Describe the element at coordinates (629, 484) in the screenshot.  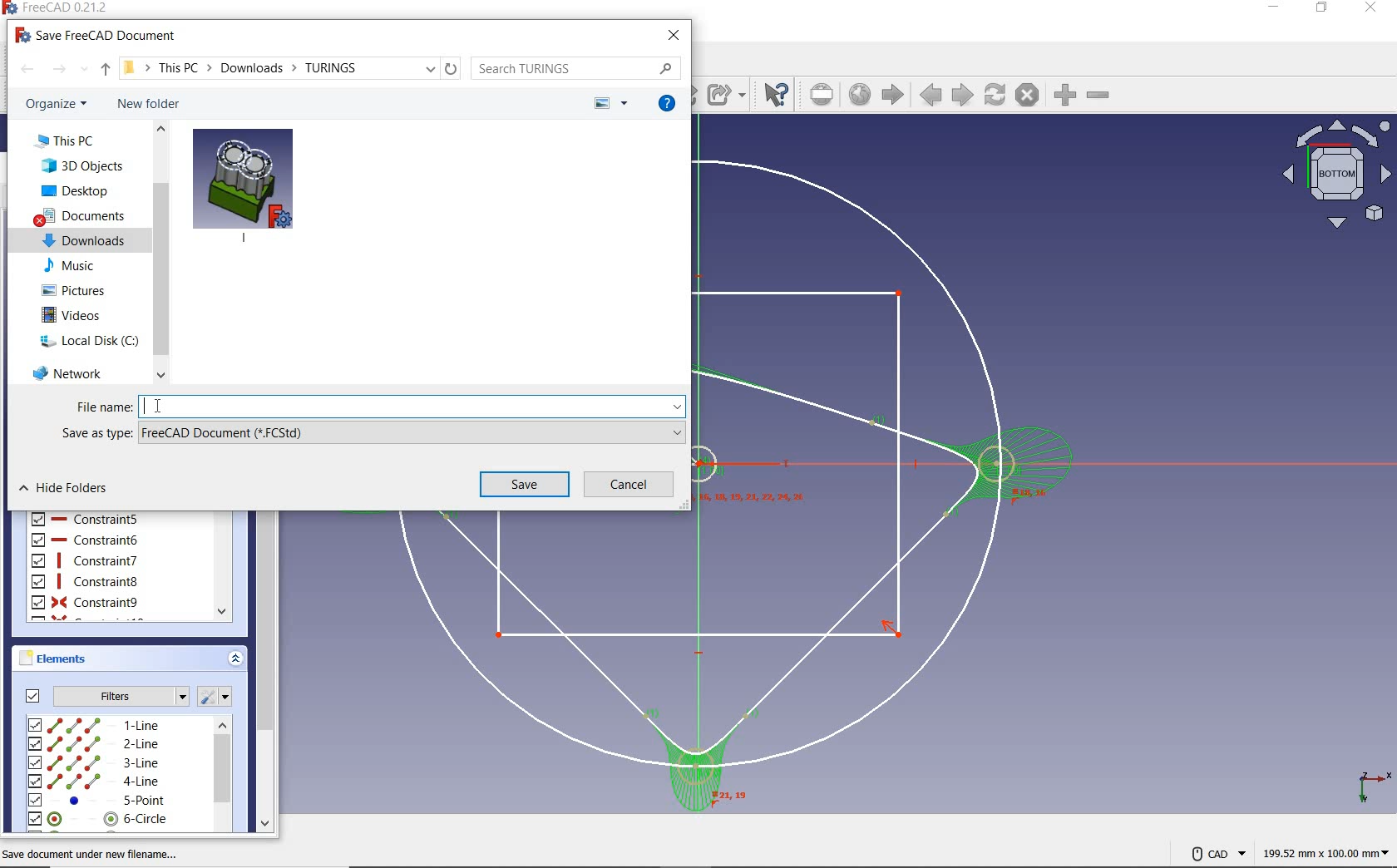
I see `cancel` at that location.